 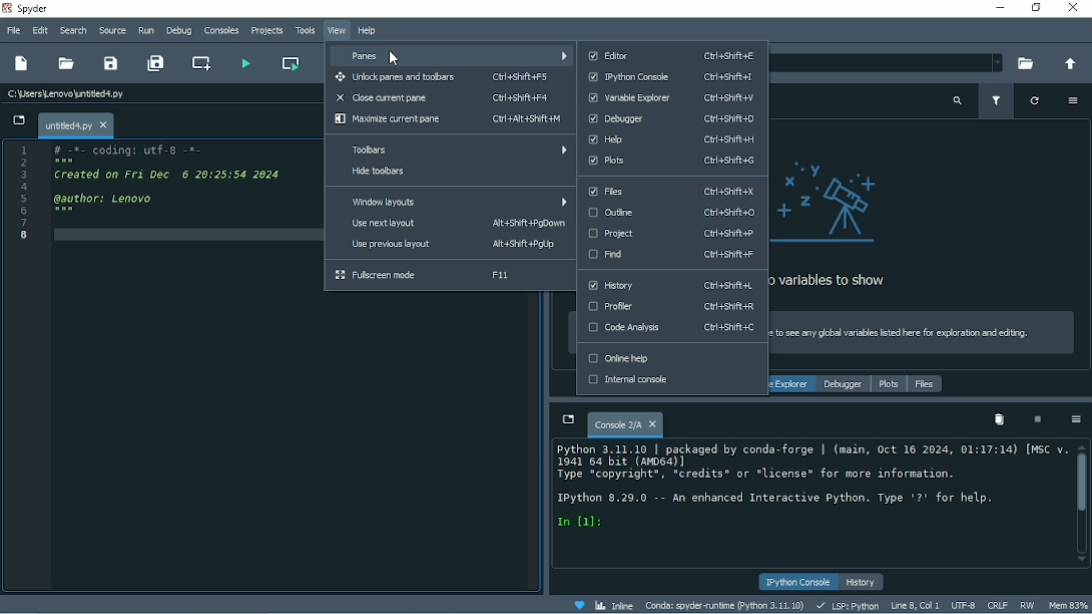 I want to click on File, so click(x=12, y=31).